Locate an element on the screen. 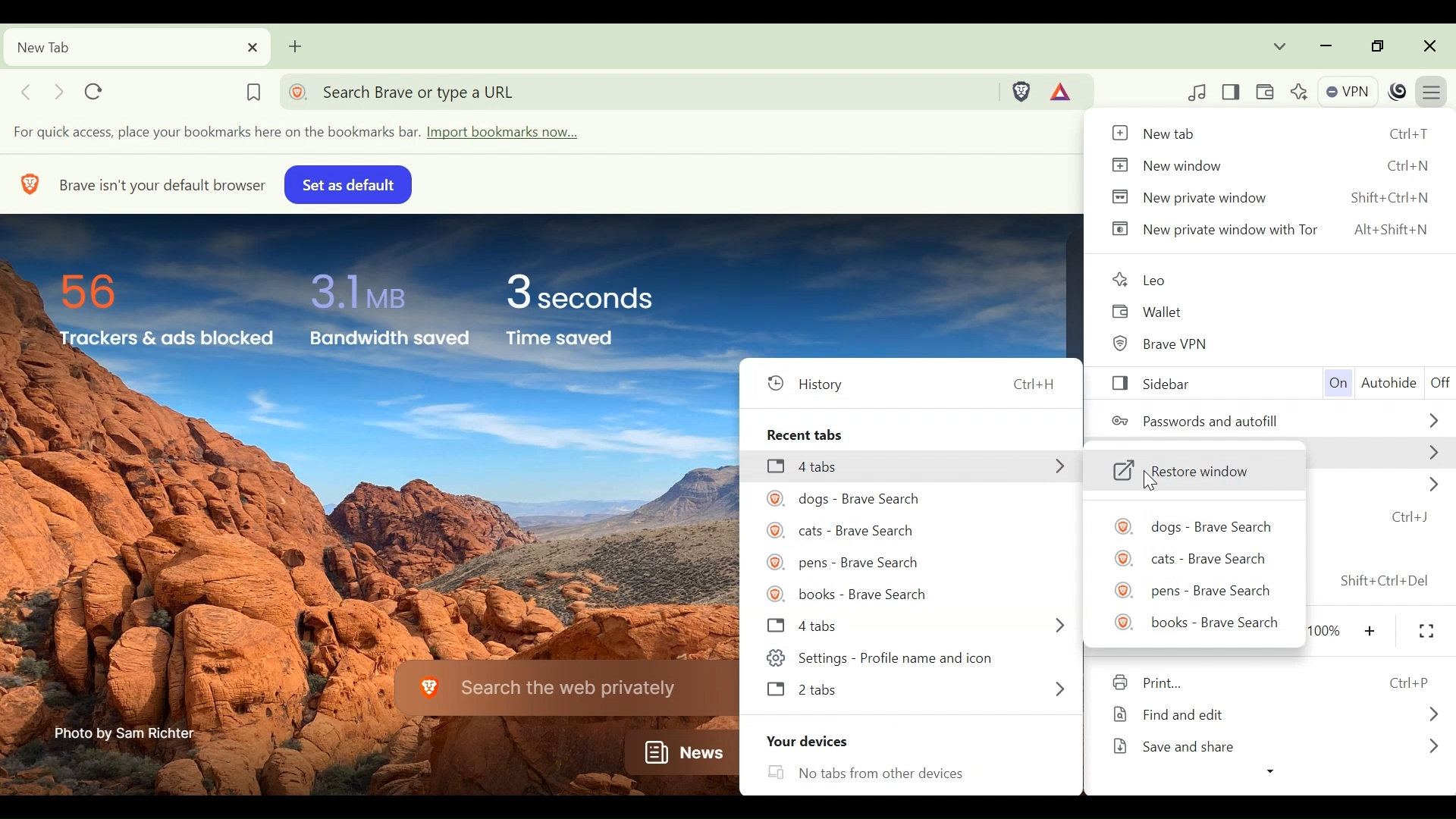 The width and height of the screenshot is (1456, 819). cats - Brave Search is located at coordinates (1191, 557).